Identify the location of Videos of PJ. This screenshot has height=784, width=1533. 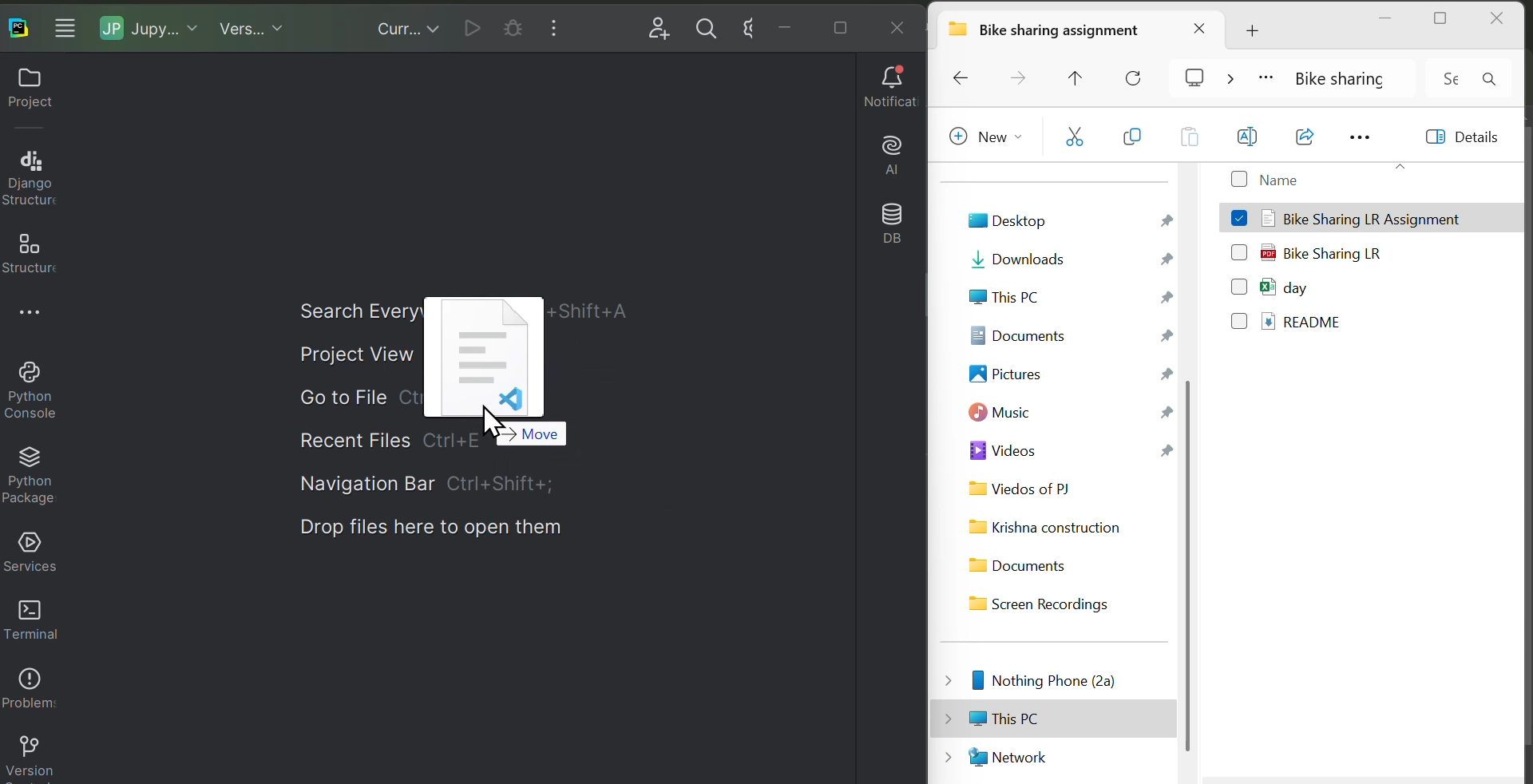
(1071, 487).